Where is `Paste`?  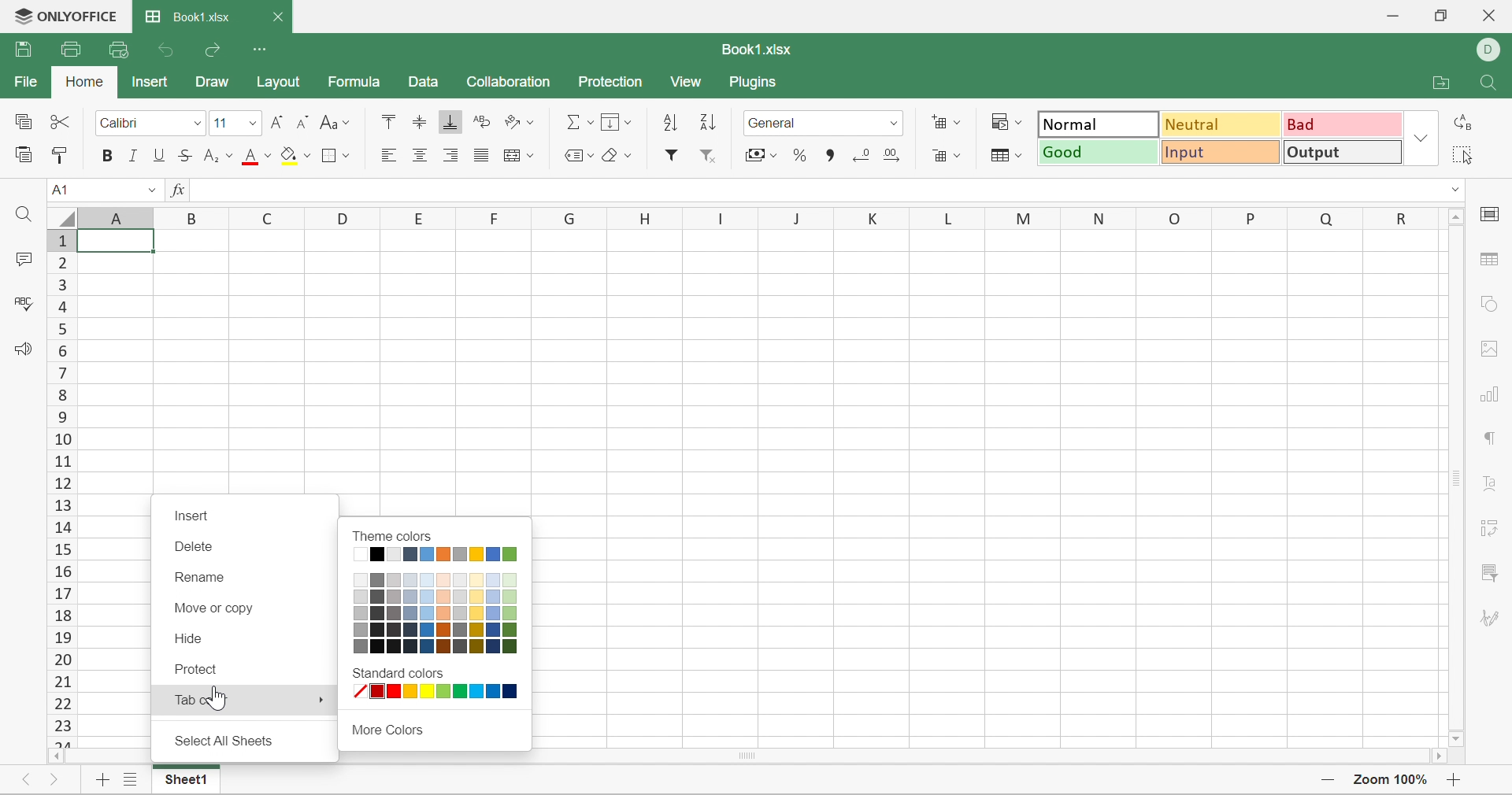
Paste is located at coordinates (23, 154).